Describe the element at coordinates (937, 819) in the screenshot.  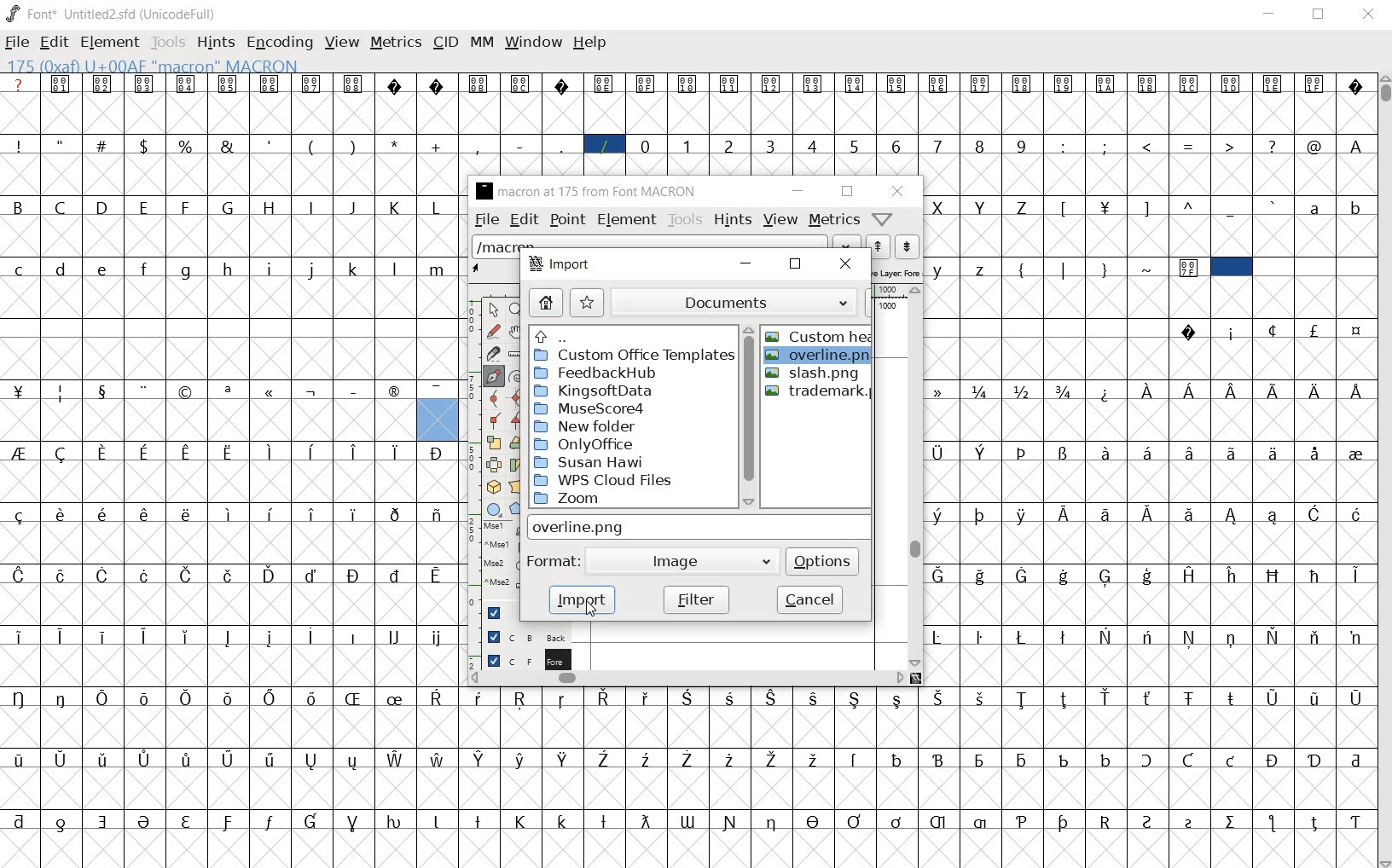
I see `Symbol` at that location.